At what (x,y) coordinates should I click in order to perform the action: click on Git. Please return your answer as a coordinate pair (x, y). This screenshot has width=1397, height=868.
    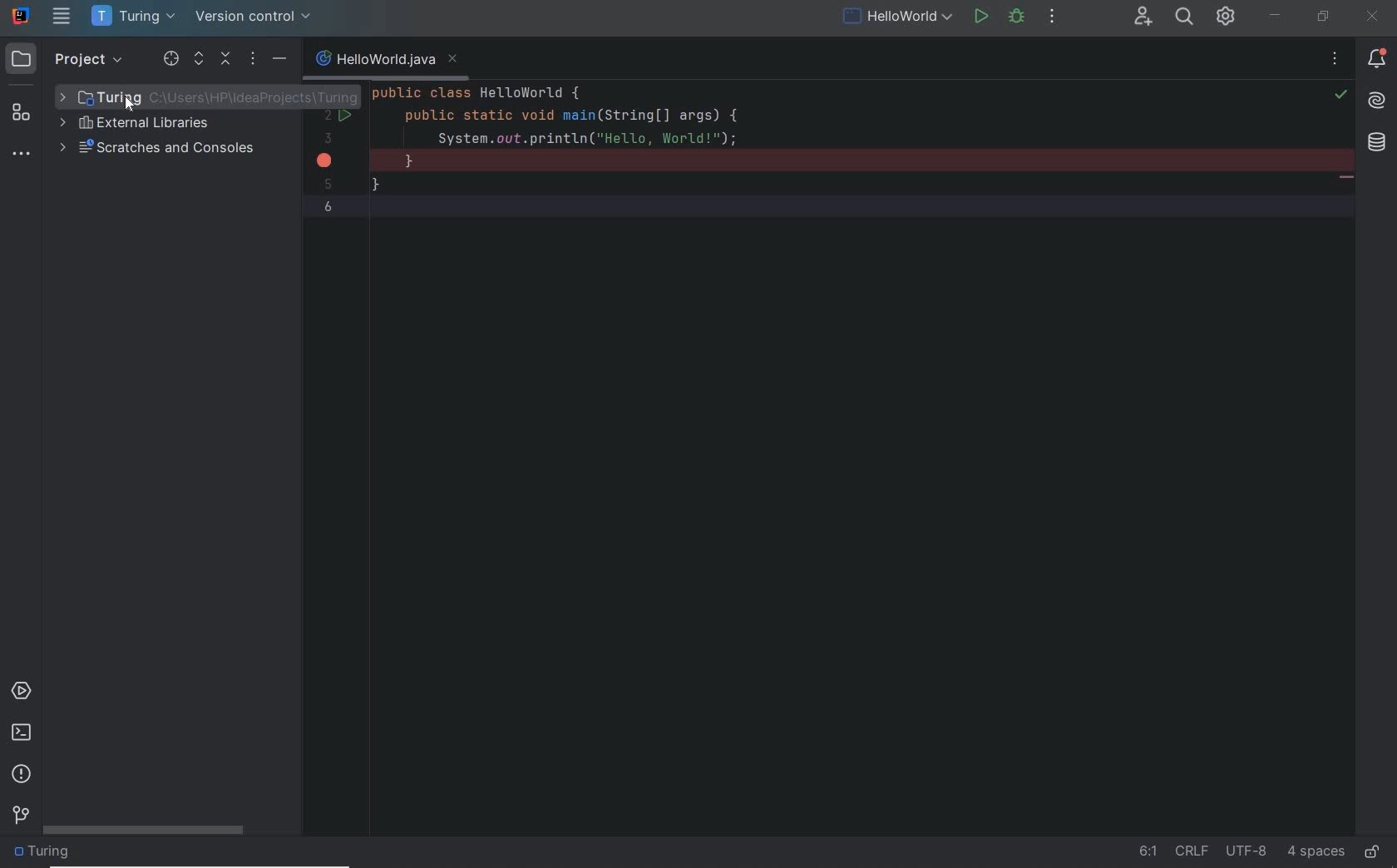
    Looking at the image, I should click on (21, 813).